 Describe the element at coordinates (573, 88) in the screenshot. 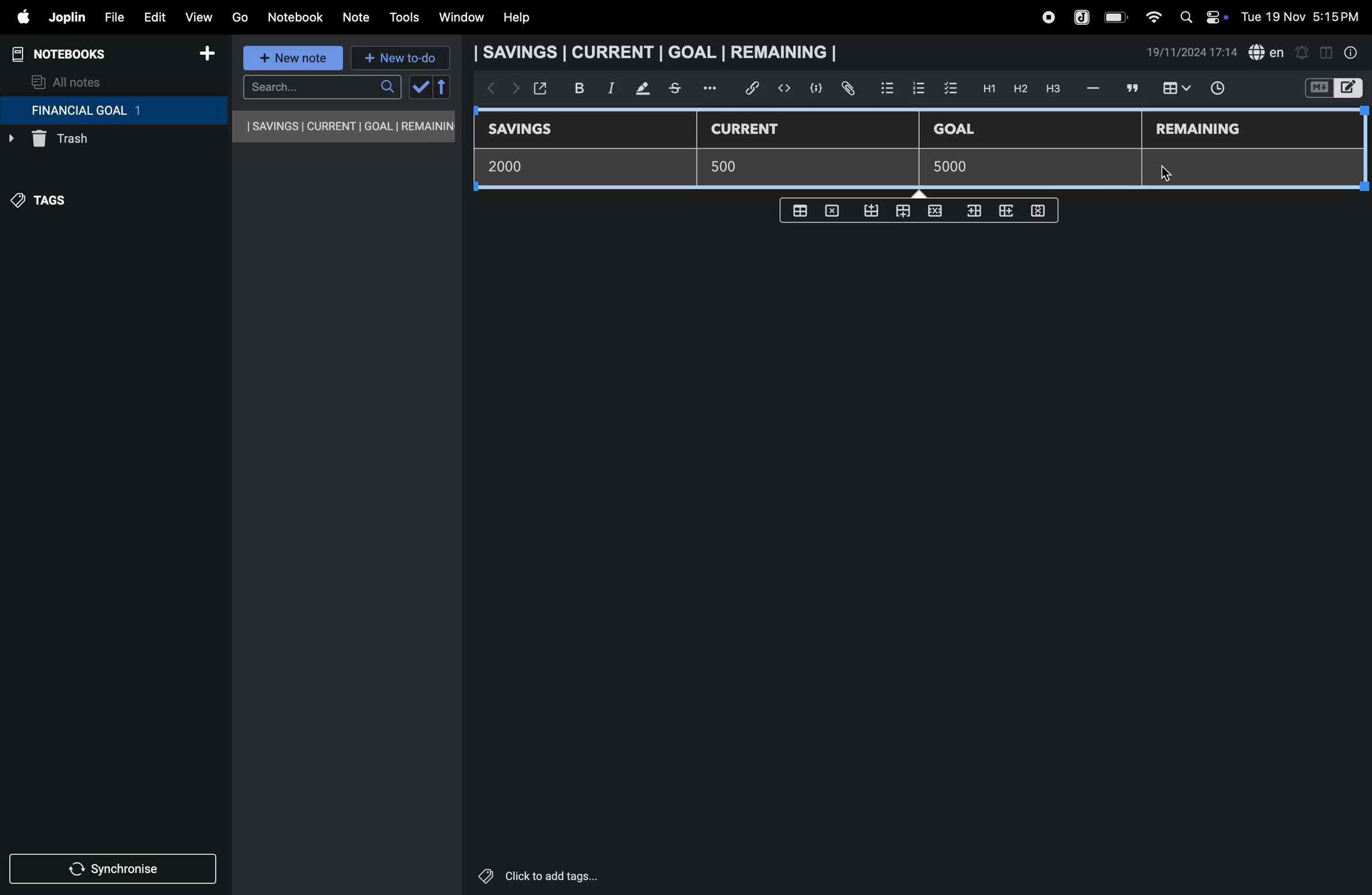

I see `bold` at that location.